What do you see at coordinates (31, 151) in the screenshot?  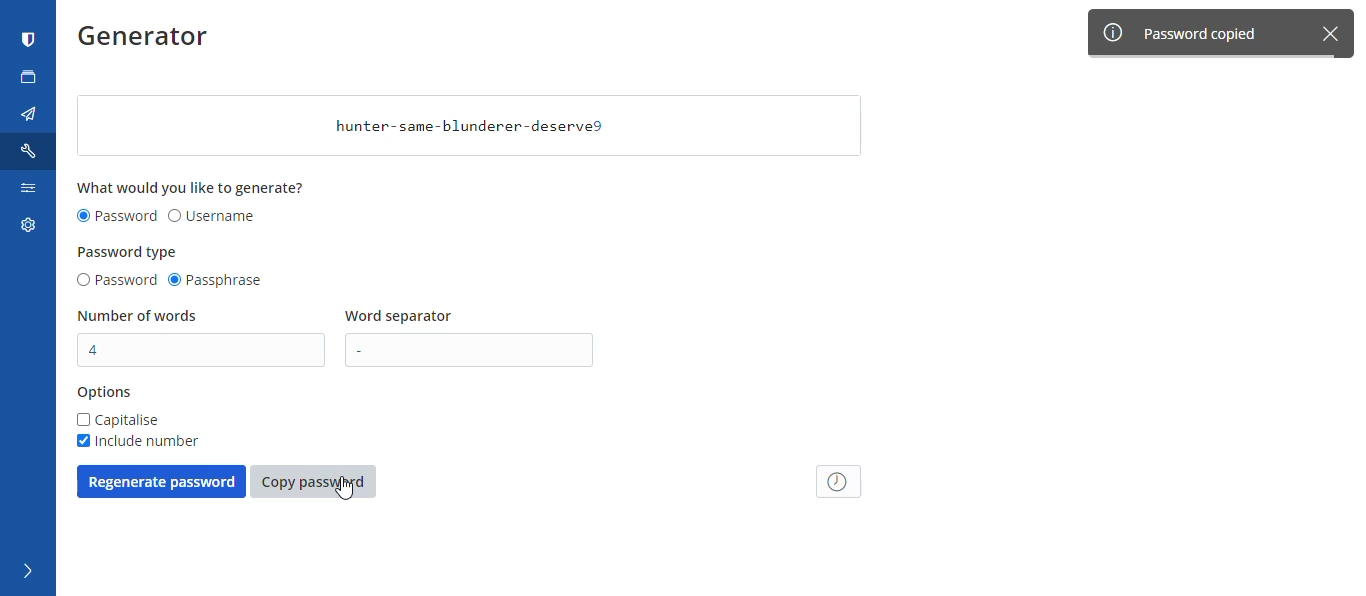 I see `tools` at bounding box center [31, 151].